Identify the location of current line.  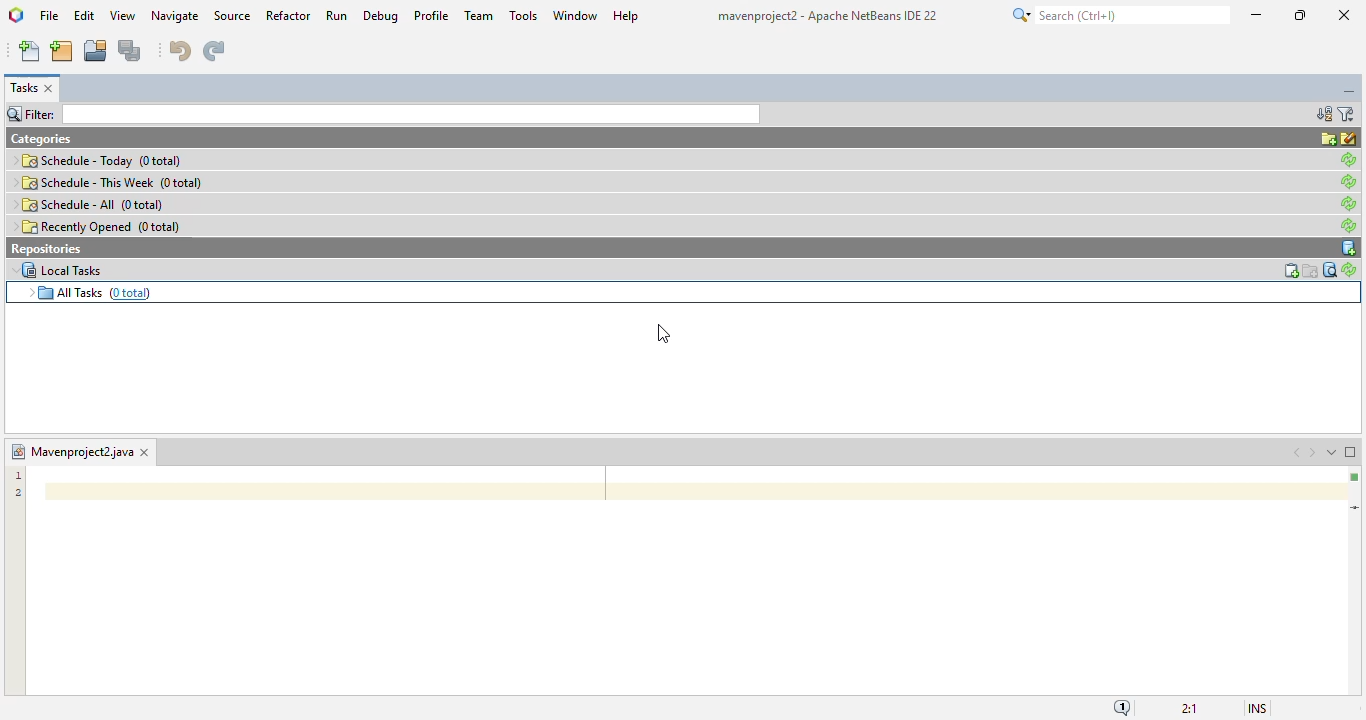
(1355, 508).